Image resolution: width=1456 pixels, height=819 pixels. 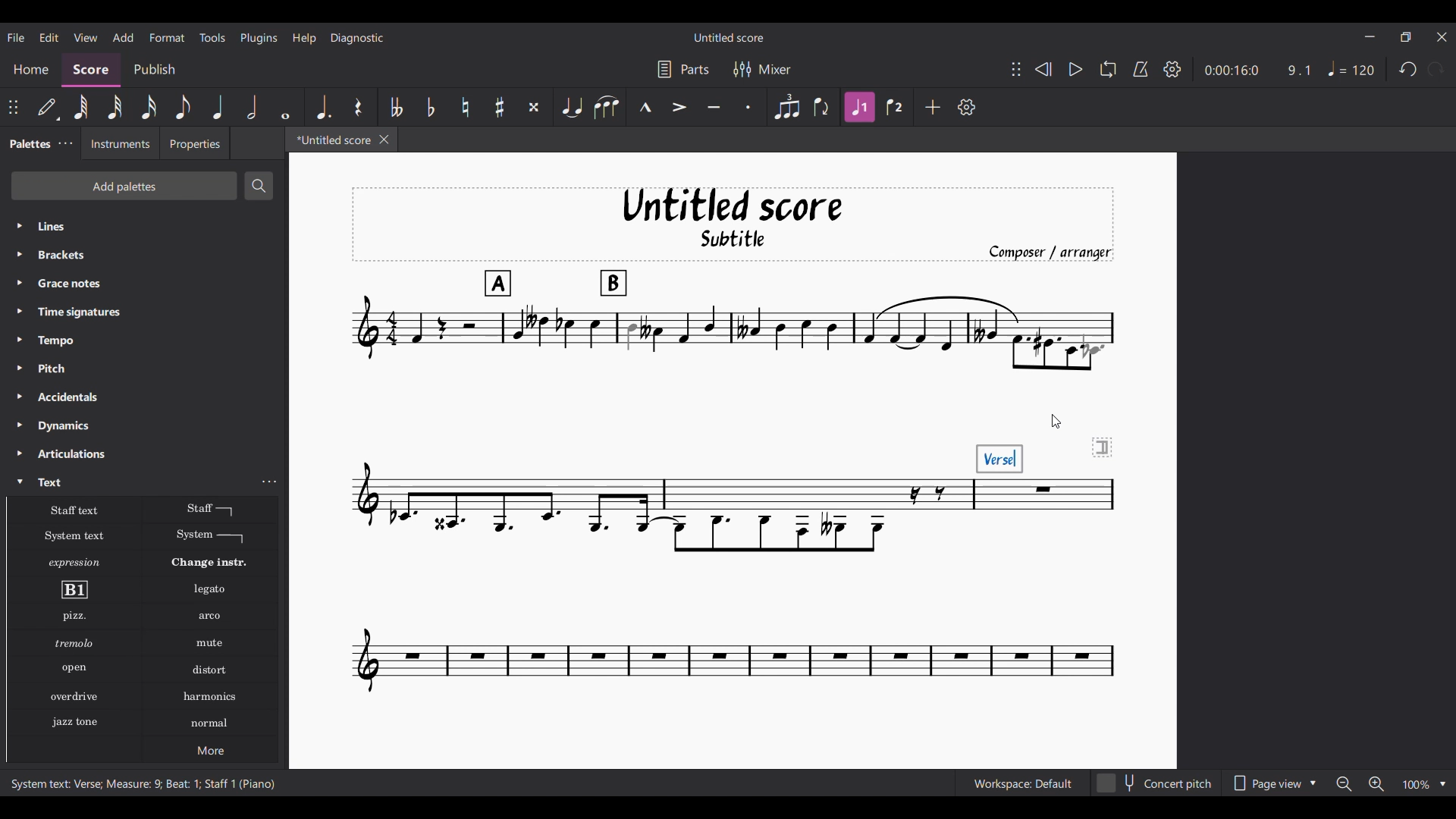 What do you see at coordinates (788, 107) in the screenshot?
I see `Tuplet` at bounding box center [788, 107].